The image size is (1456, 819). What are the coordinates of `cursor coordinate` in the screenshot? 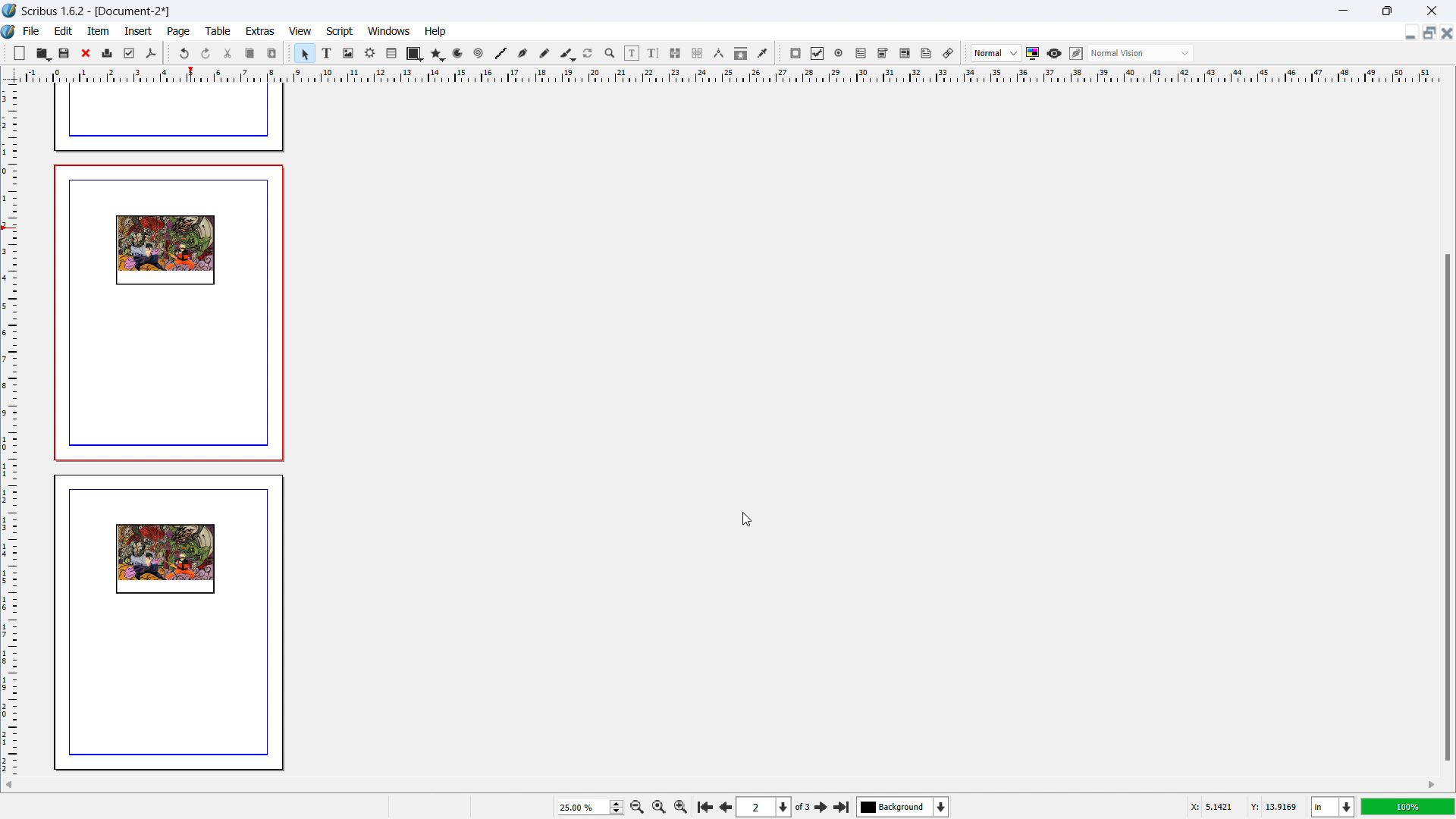 It's located at (1243, 805).